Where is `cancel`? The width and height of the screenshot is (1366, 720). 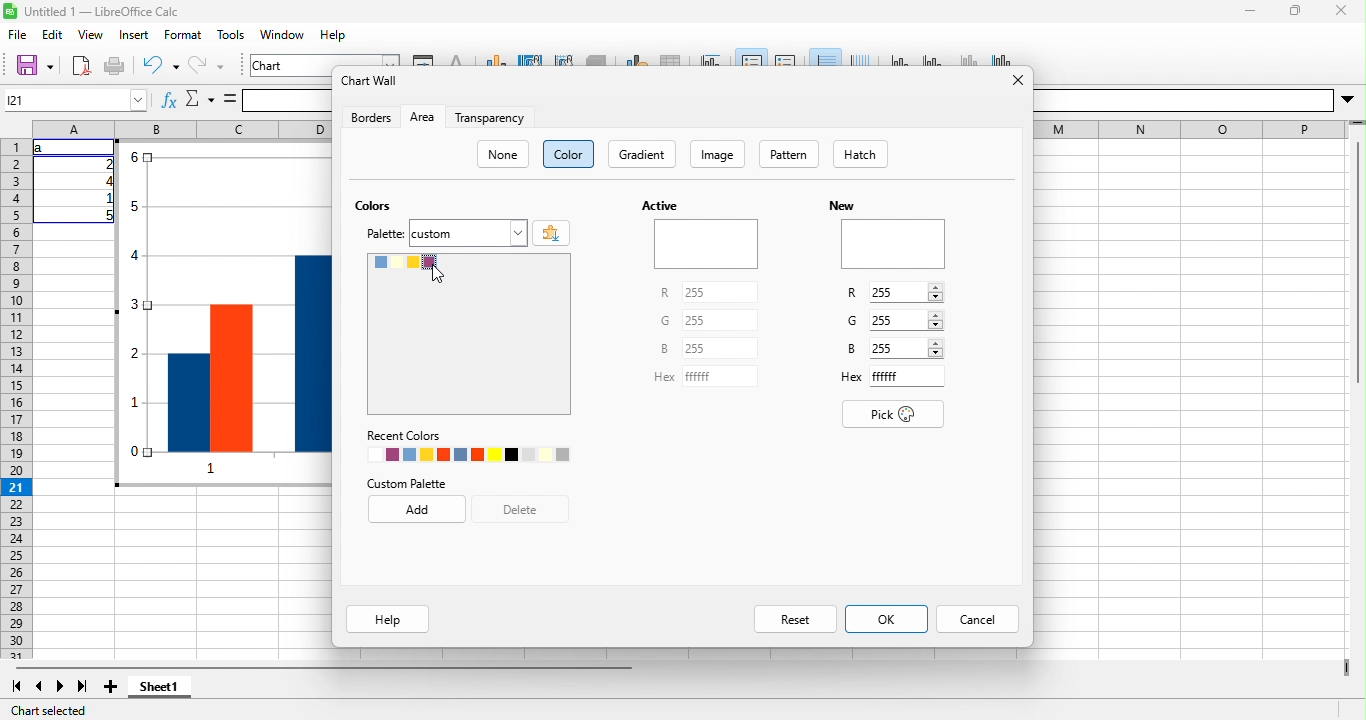 cancel is located at coordinates (977, 619).